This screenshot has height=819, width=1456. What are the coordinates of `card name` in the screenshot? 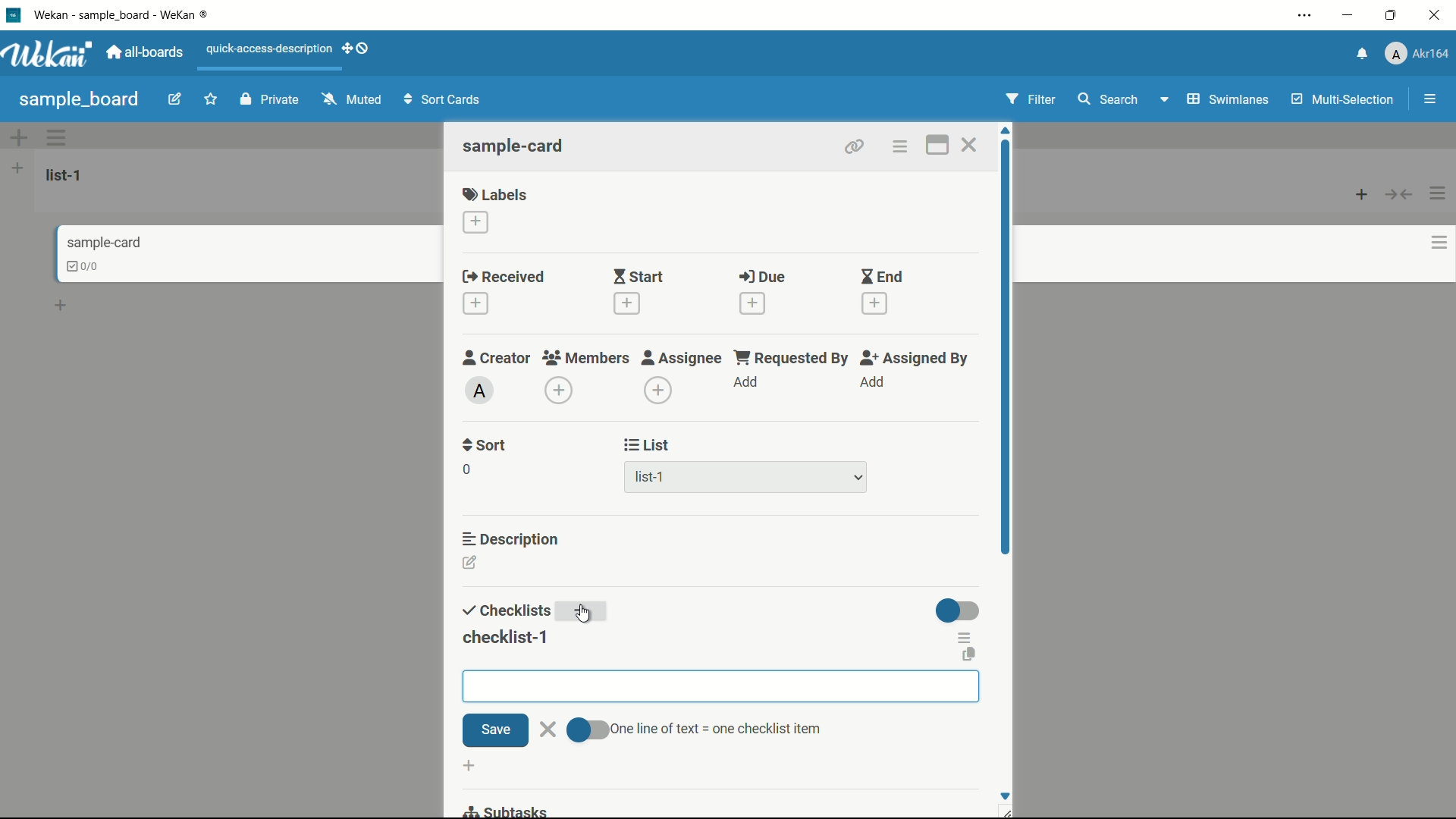 It's located at (515, 146).